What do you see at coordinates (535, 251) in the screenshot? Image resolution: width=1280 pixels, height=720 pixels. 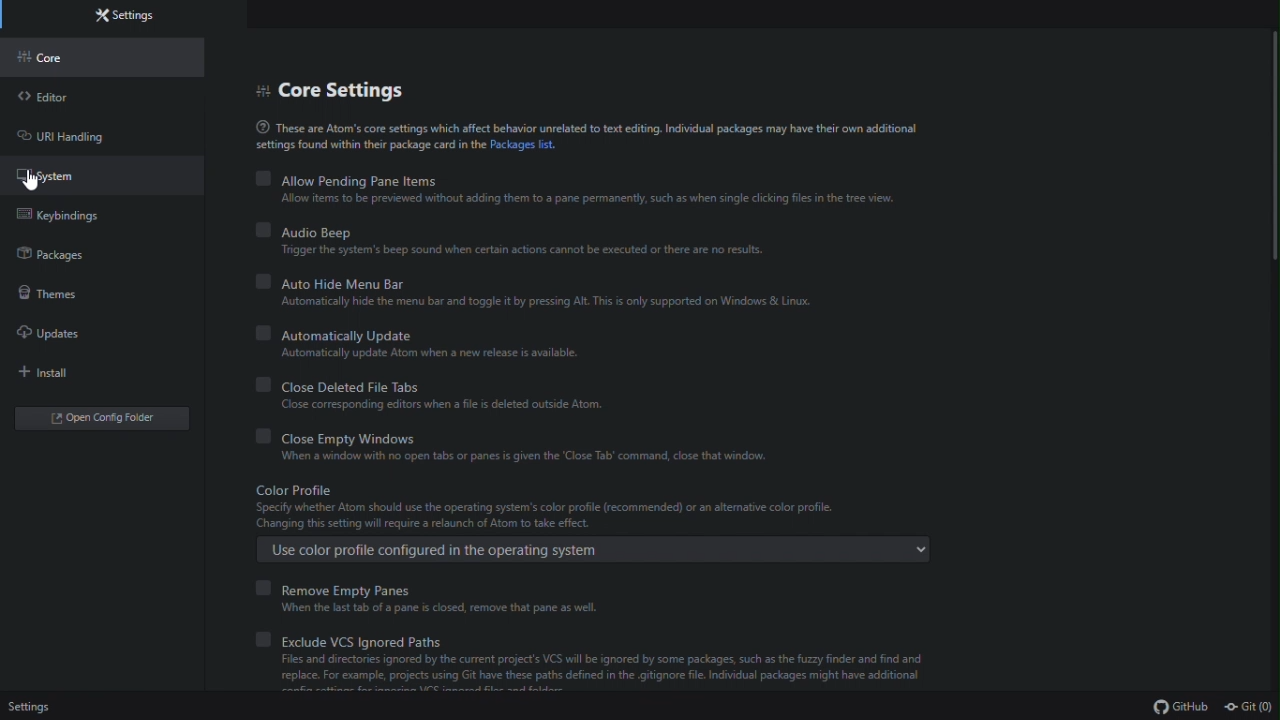 I see `‘Trigger the system's beep sound when certain actions cannot be executed or there are no results.` at bounding box center [535, 251].